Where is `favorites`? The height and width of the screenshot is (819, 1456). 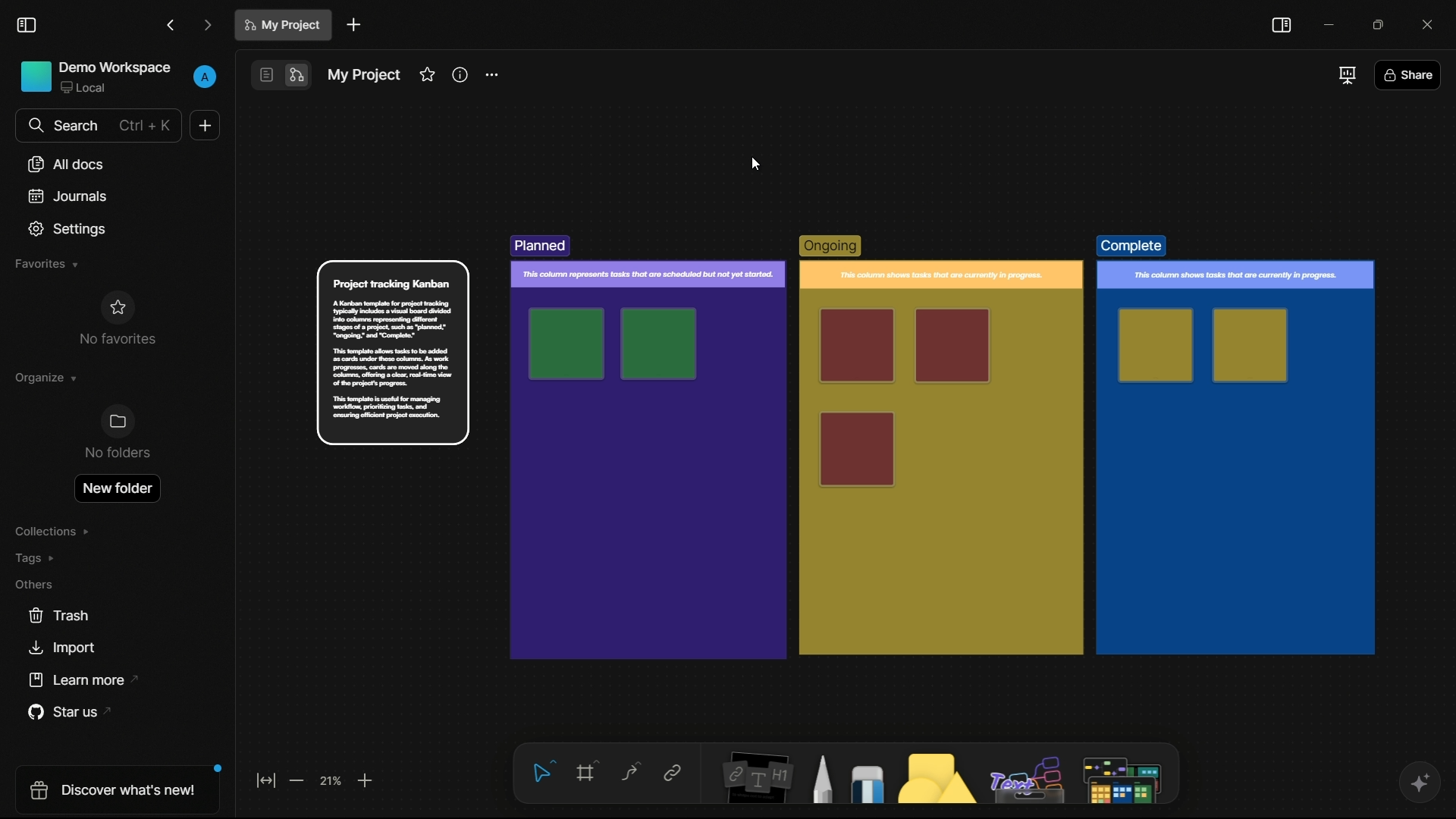
favorites is located at coordinates (427, 74).